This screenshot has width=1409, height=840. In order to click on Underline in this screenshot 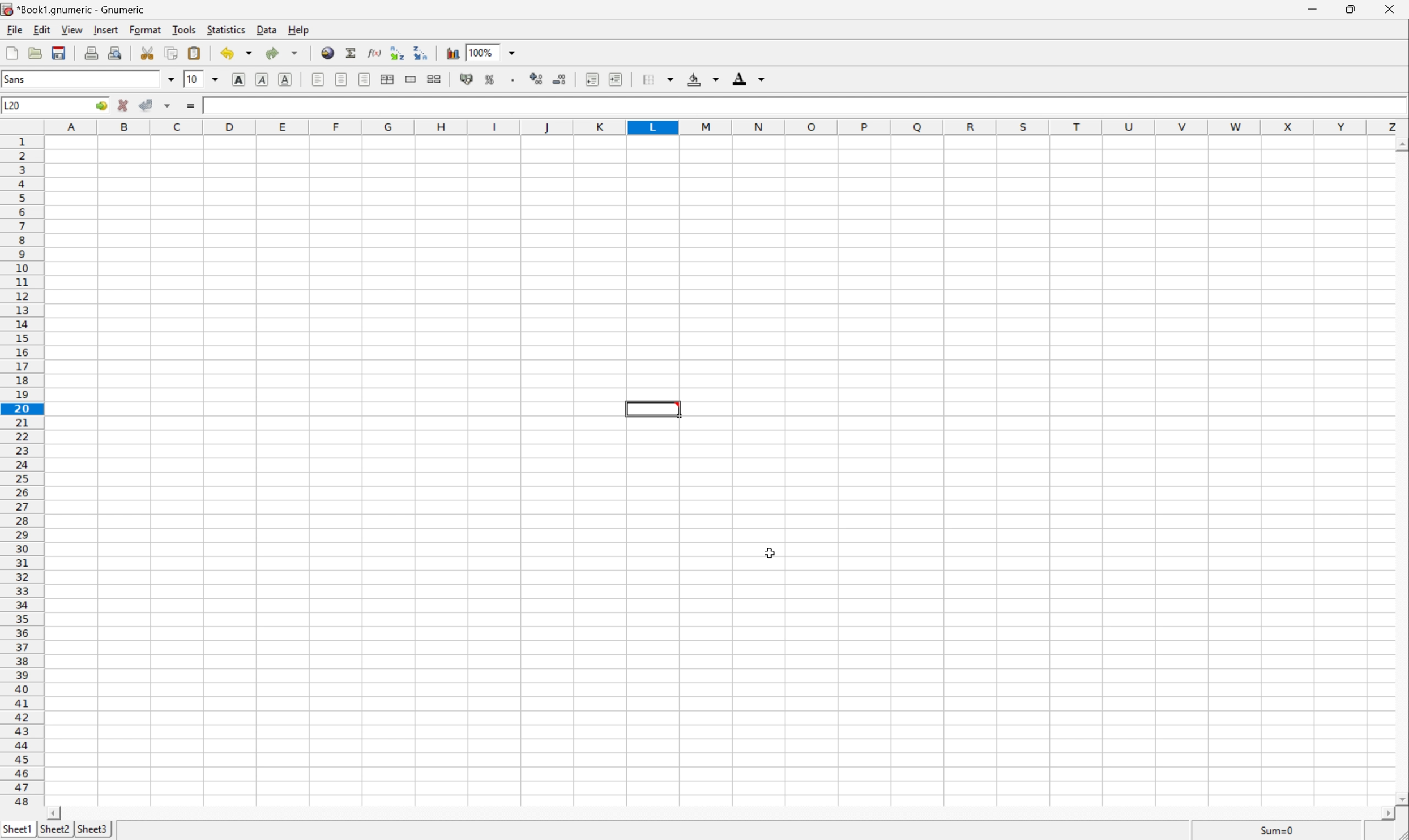, I will do `click(285, 79)`.